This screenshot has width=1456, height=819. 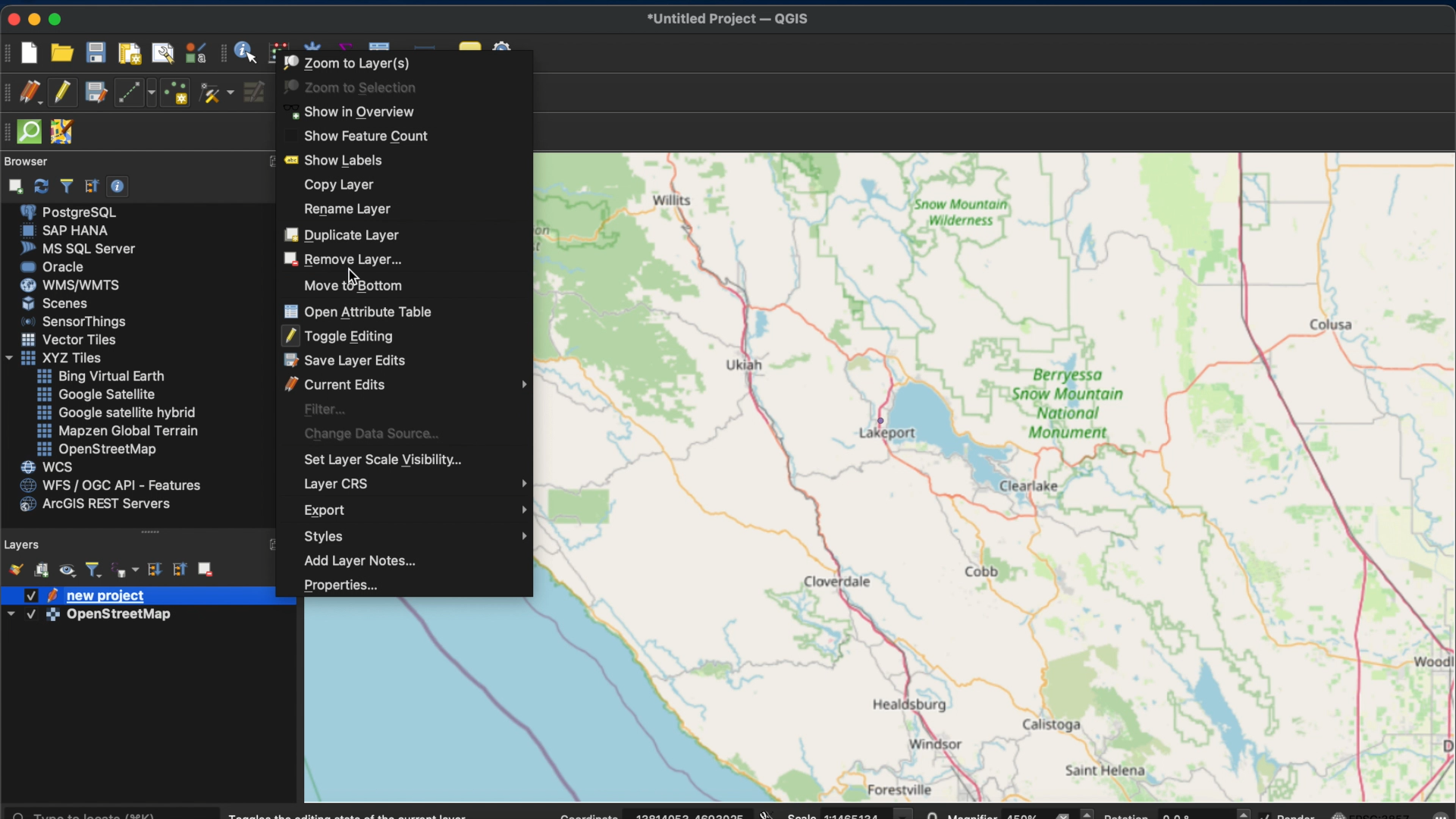 I want to click on scenes, so click(x=54, y=303).